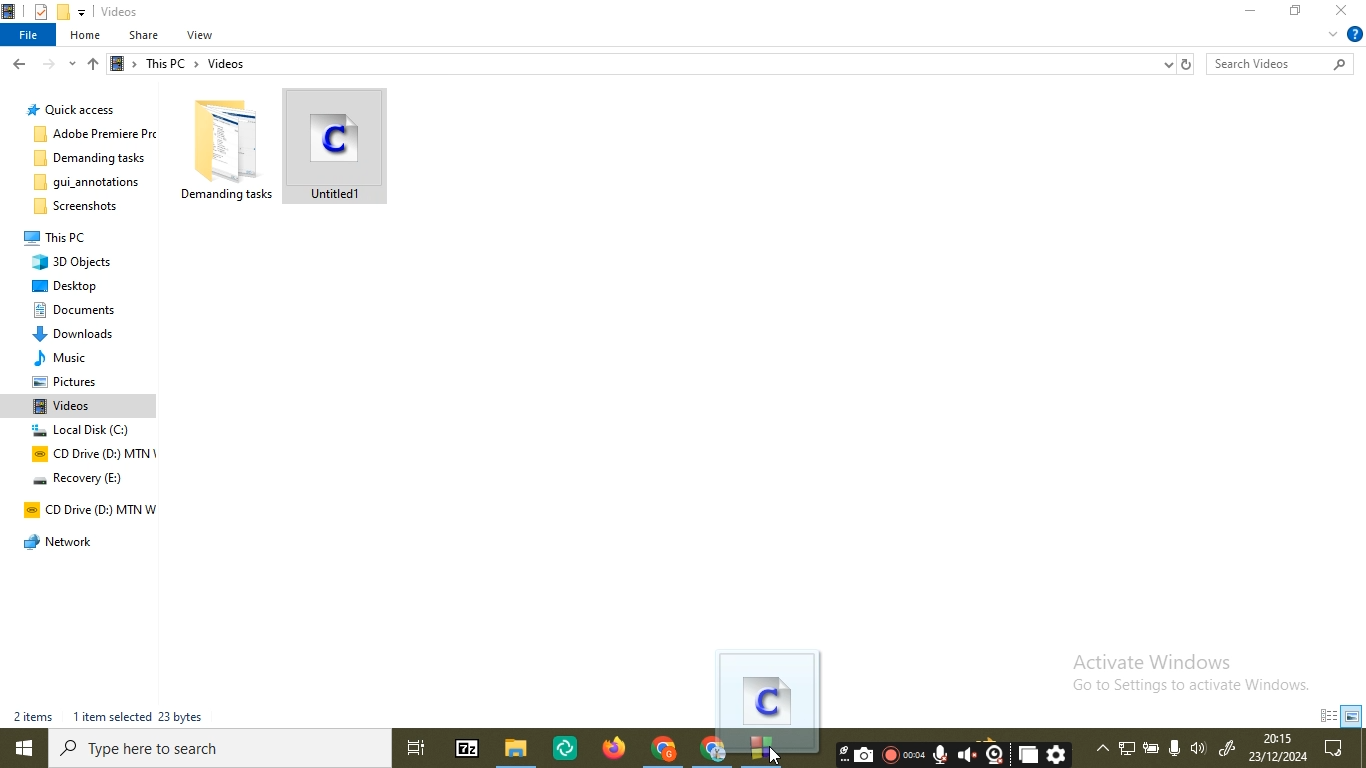  Describe the element at coordinates (769, 703) in the screenshot. I see `dragged file` at that location.